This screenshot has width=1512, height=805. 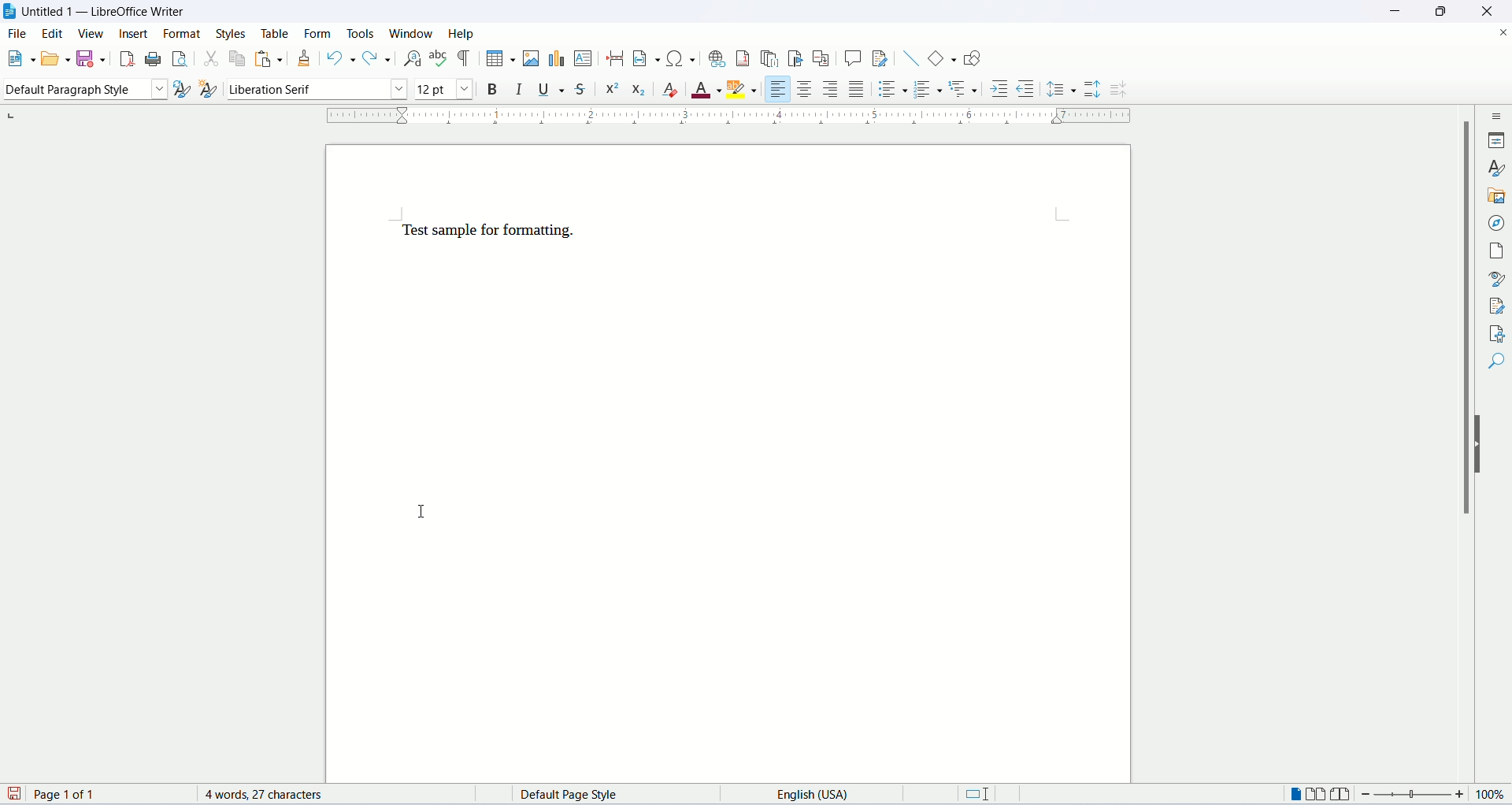 What do you see at coordinates (779, 87) in the screenshot?
I see `align left` at bounding box center [779, 87].